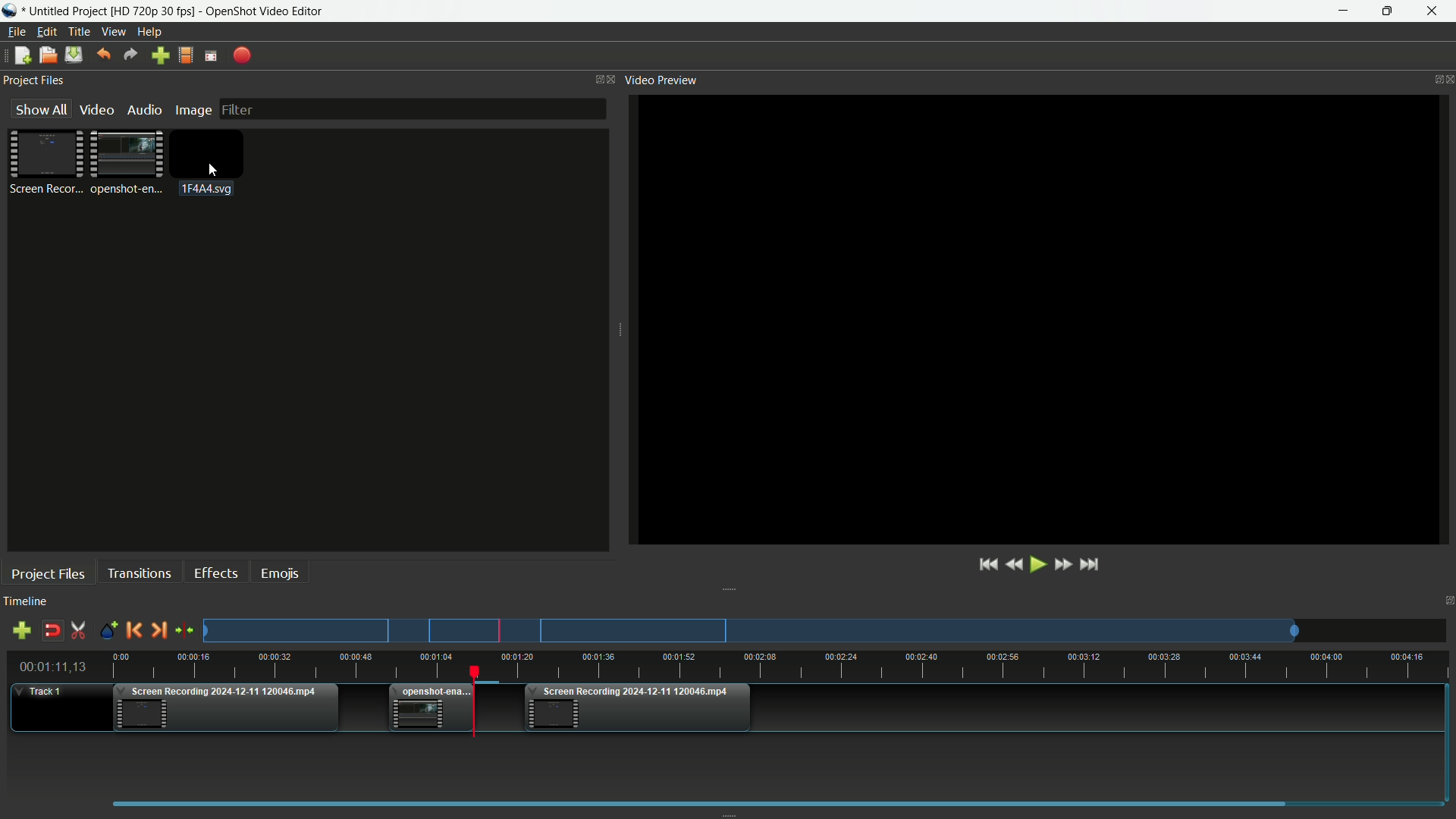  What do you see at coordinates (74, 56) in the screenshot?
I see `Save file` at bounding box center [74, 56].